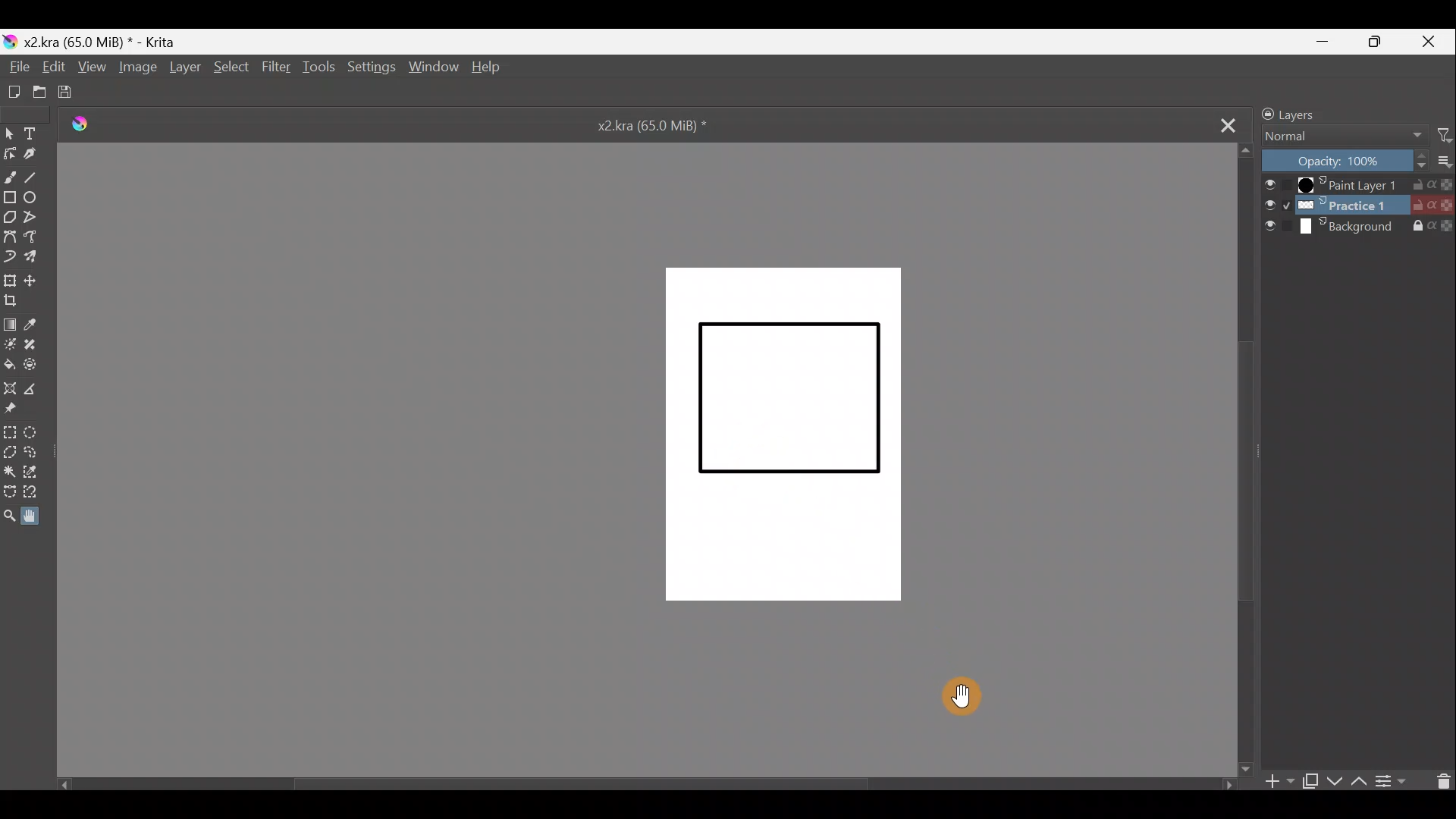  What do you see at coordinates (9, 254) in the screenshot?
I see `Dynamic brush tool` at bounding box center [9, 254].